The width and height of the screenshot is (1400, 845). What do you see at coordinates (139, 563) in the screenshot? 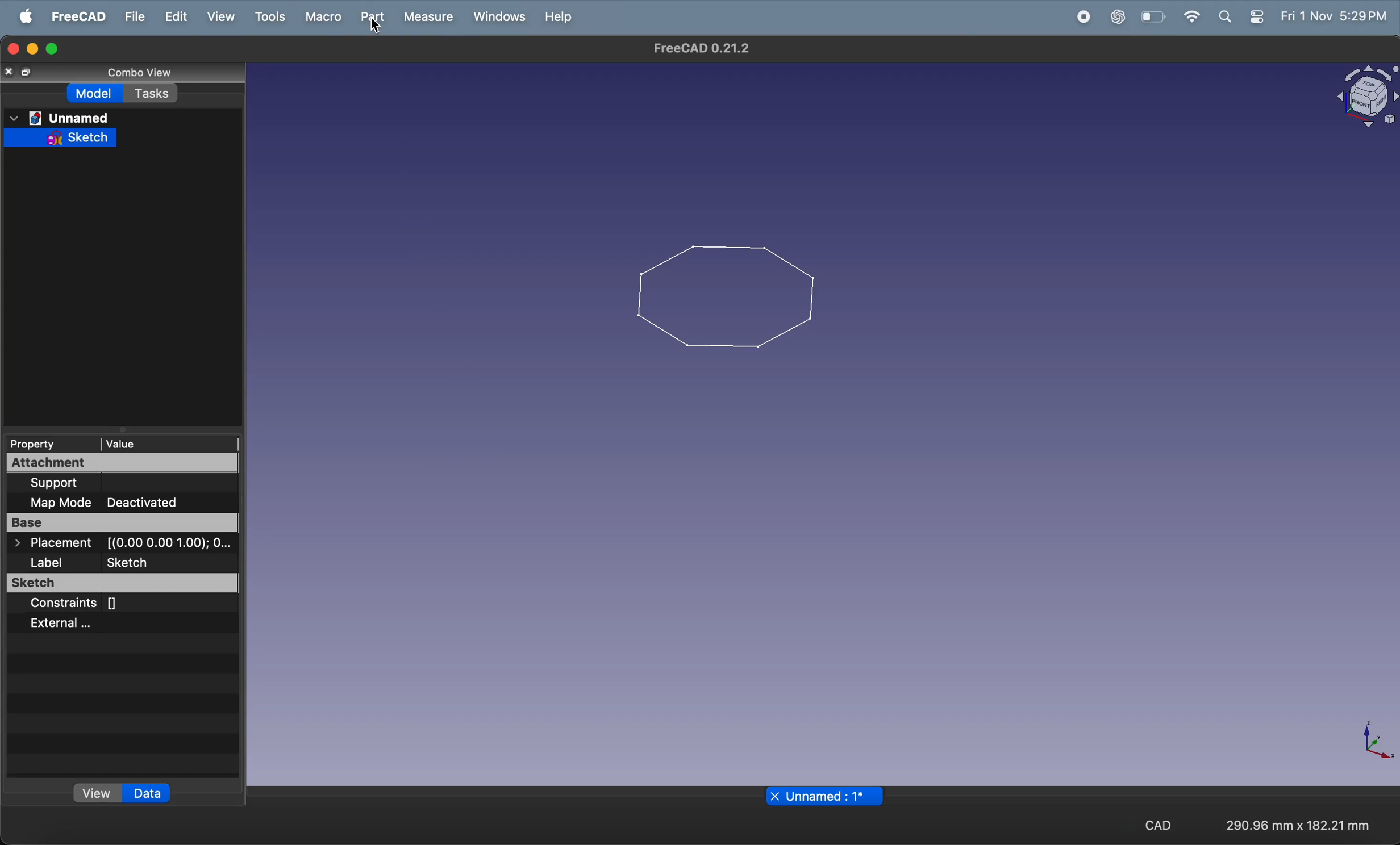
I see `sketcg` at bounding box center [139, 563].